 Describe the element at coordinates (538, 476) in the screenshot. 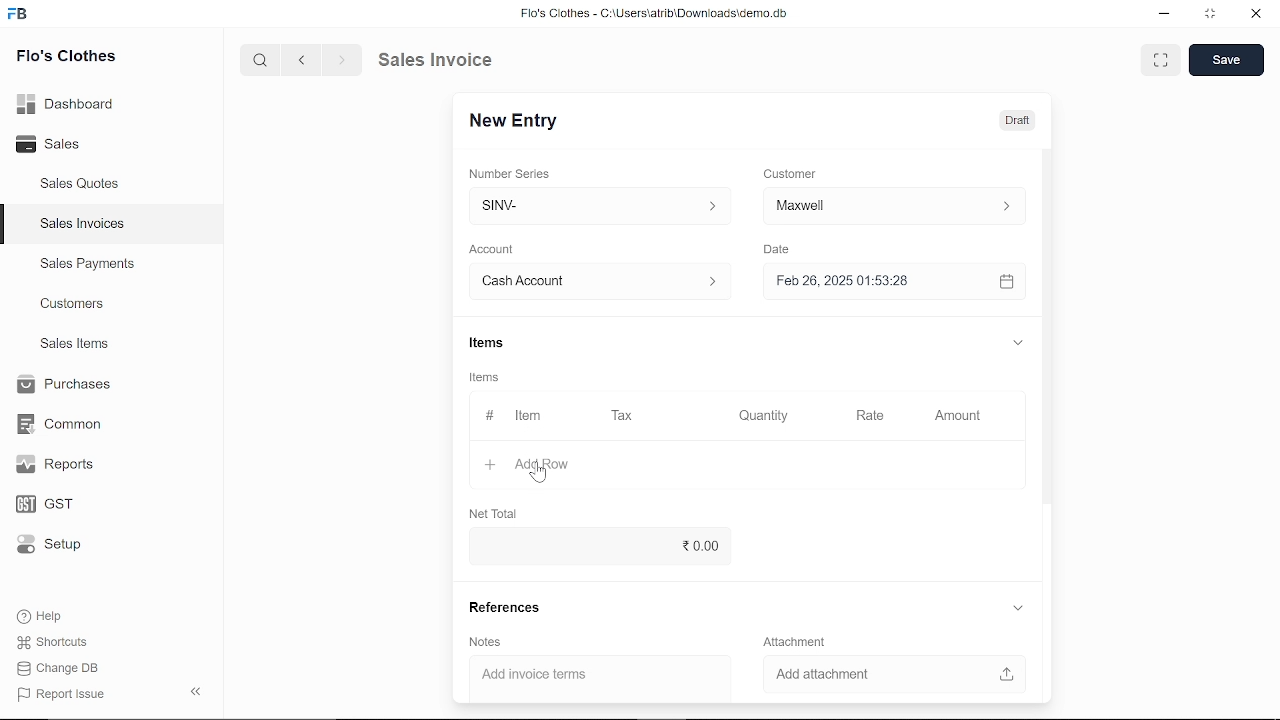

I see `cursor` at that location.